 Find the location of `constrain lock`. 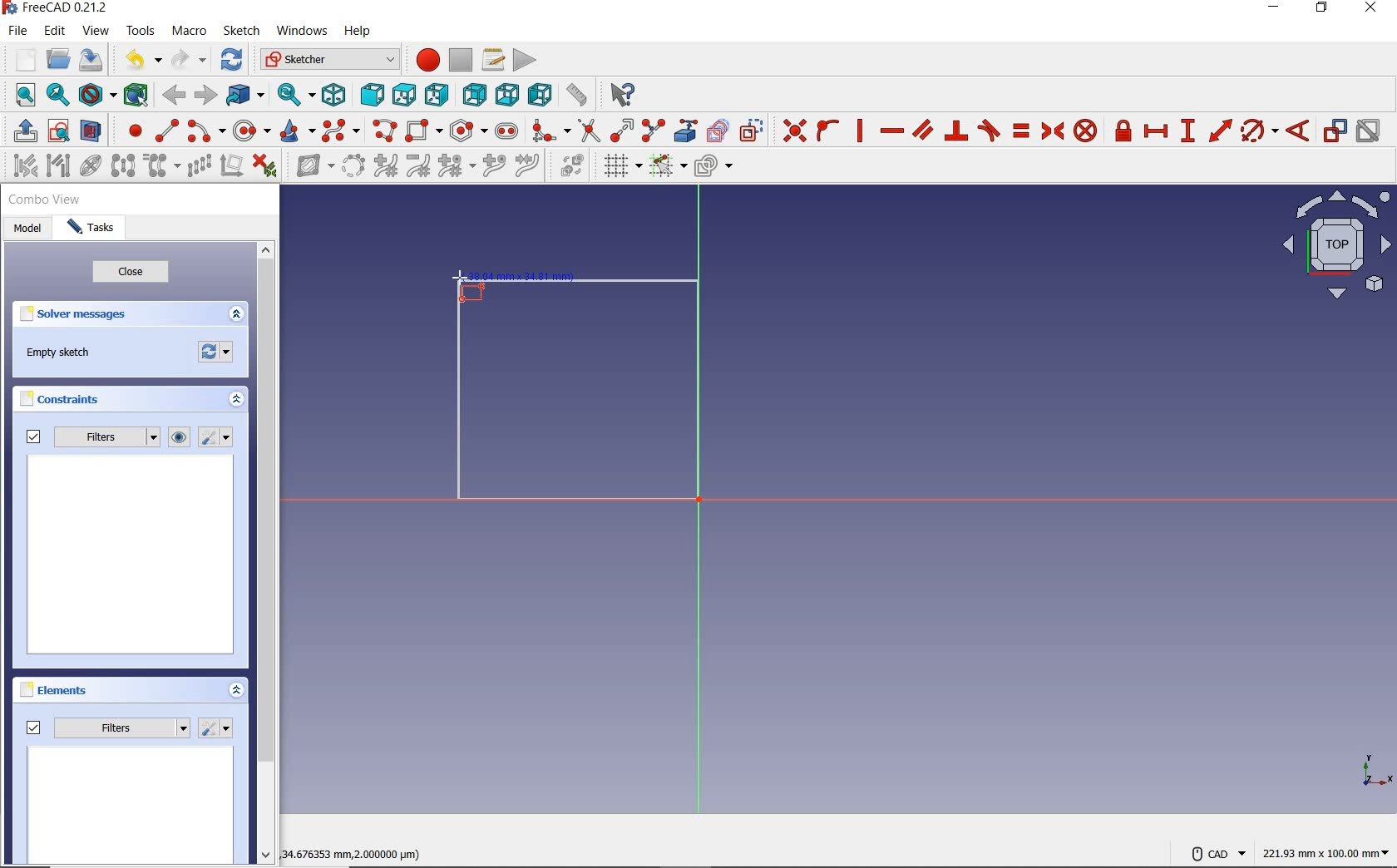

constrain lock is located at coordinates (1123, 131).